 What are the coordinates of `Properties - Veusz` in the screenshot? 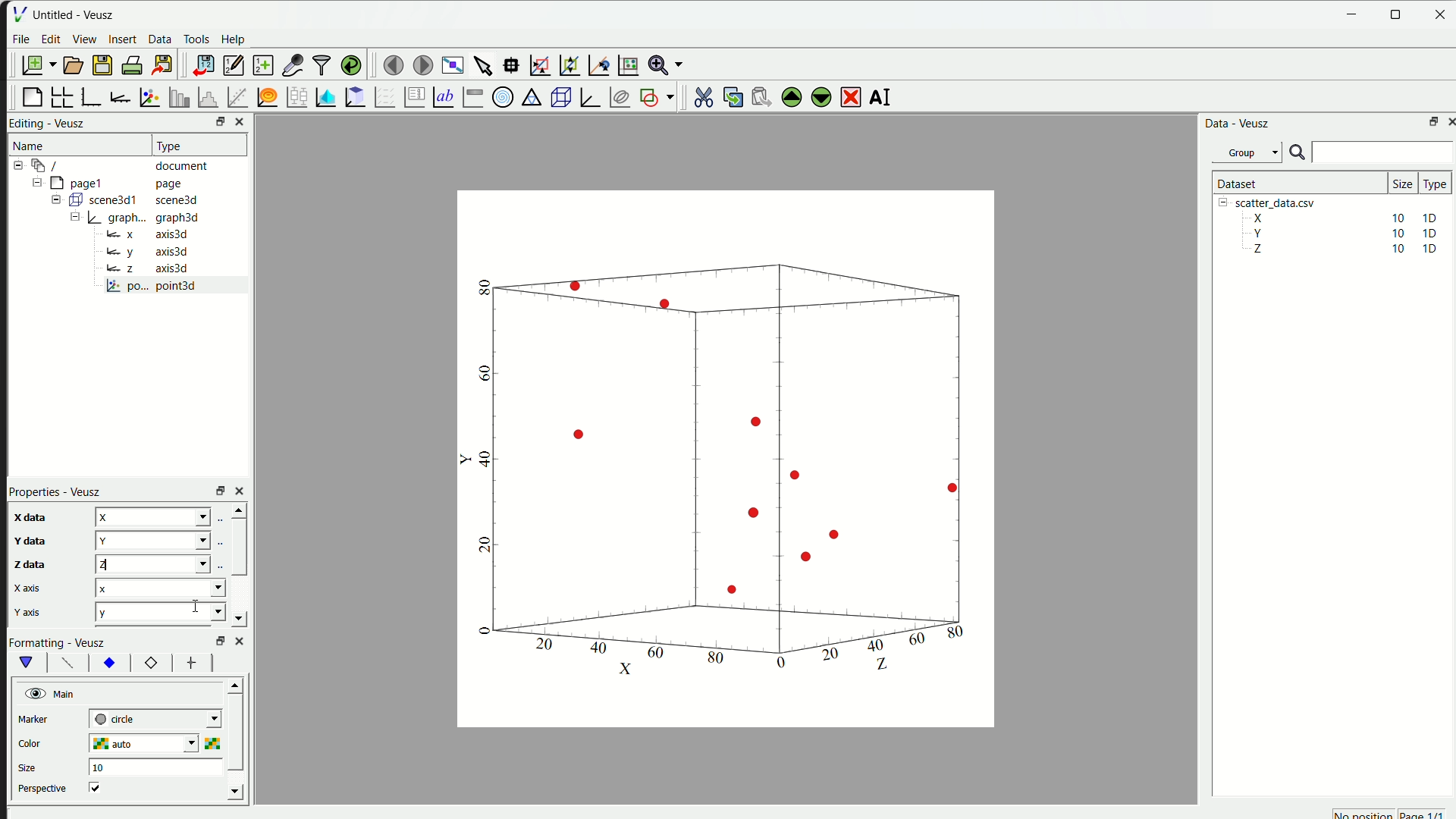 It's located at (55, 491).